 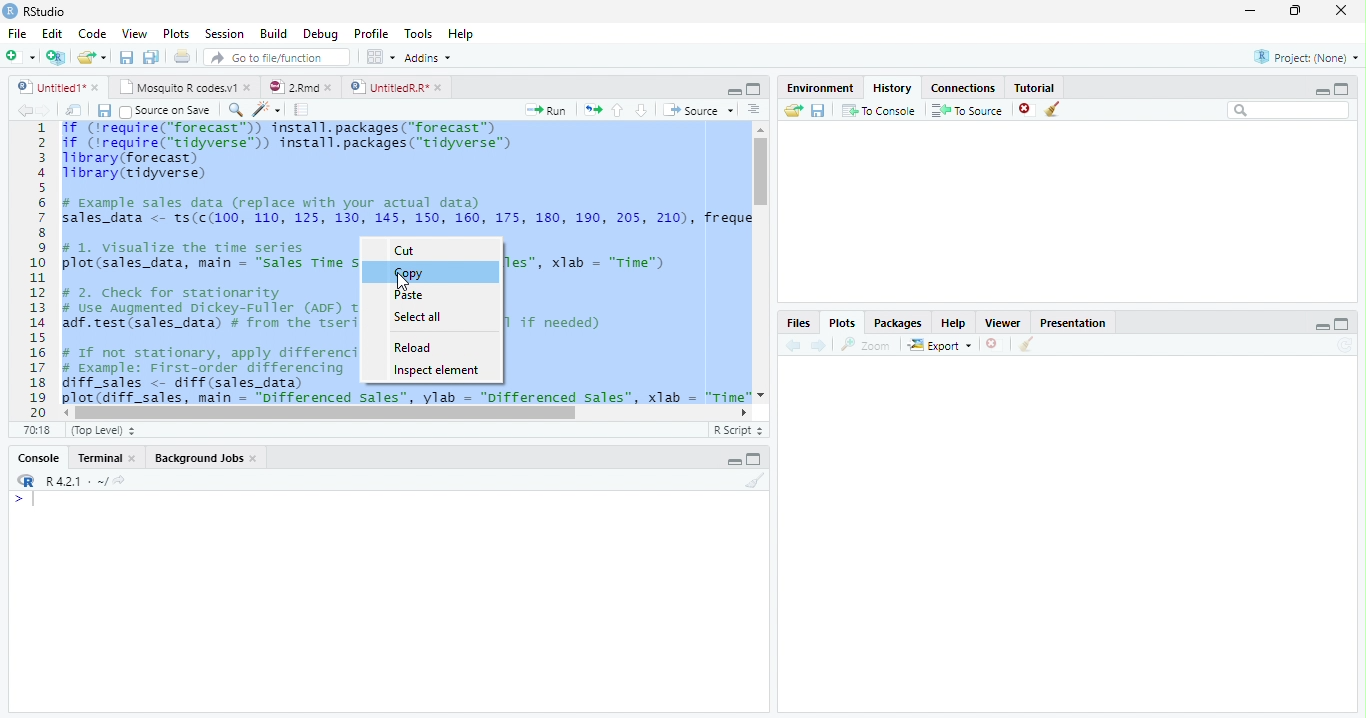 What do you see at coordinates (437, 371) in the screenshot?
I see `Inspect element` at bounding box center [437, 371].